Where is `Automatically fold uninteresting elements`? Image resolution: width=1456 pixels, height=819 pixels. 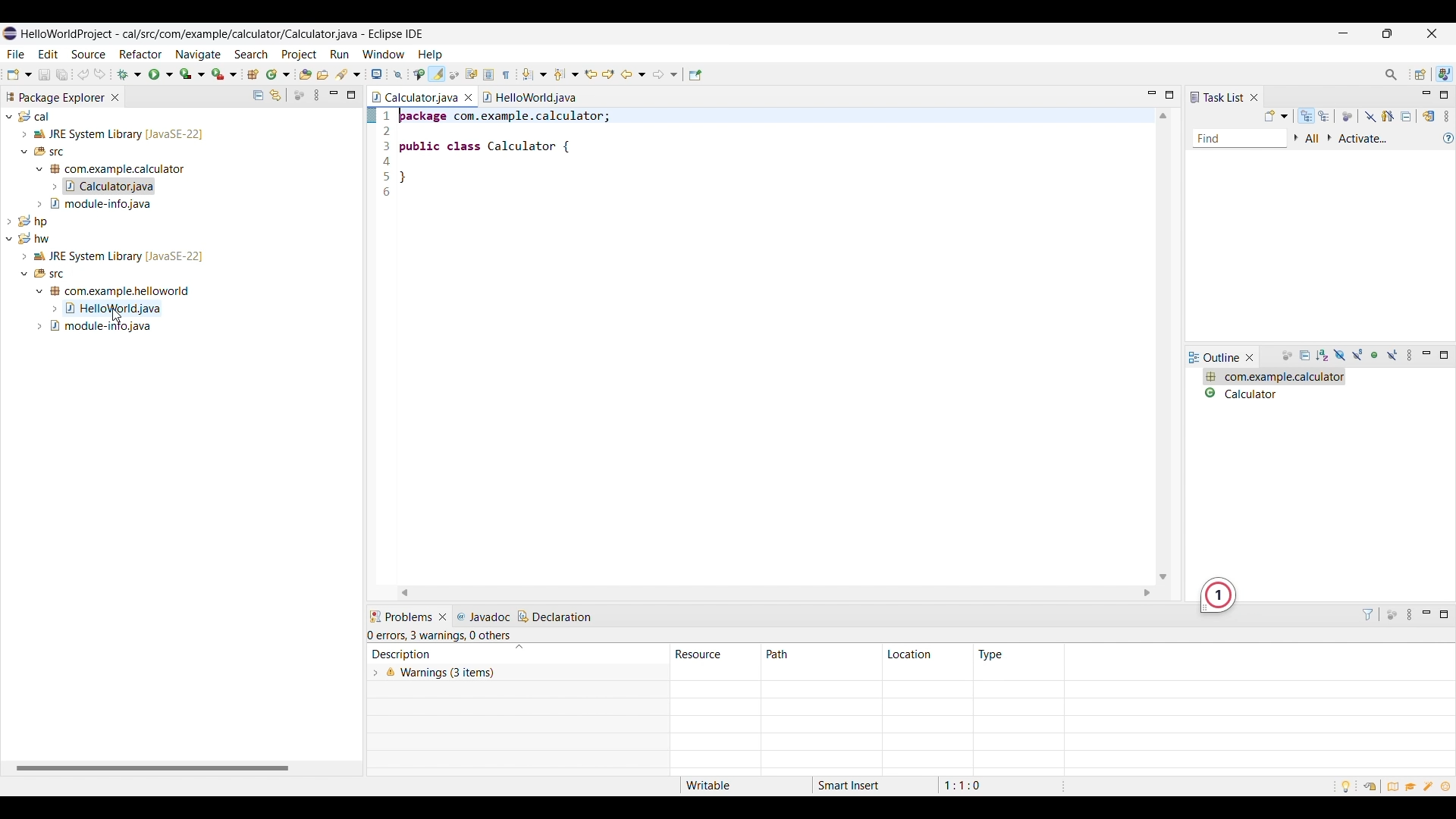
Automatically fold uninteresting elements is located at coordinates (454, 75).